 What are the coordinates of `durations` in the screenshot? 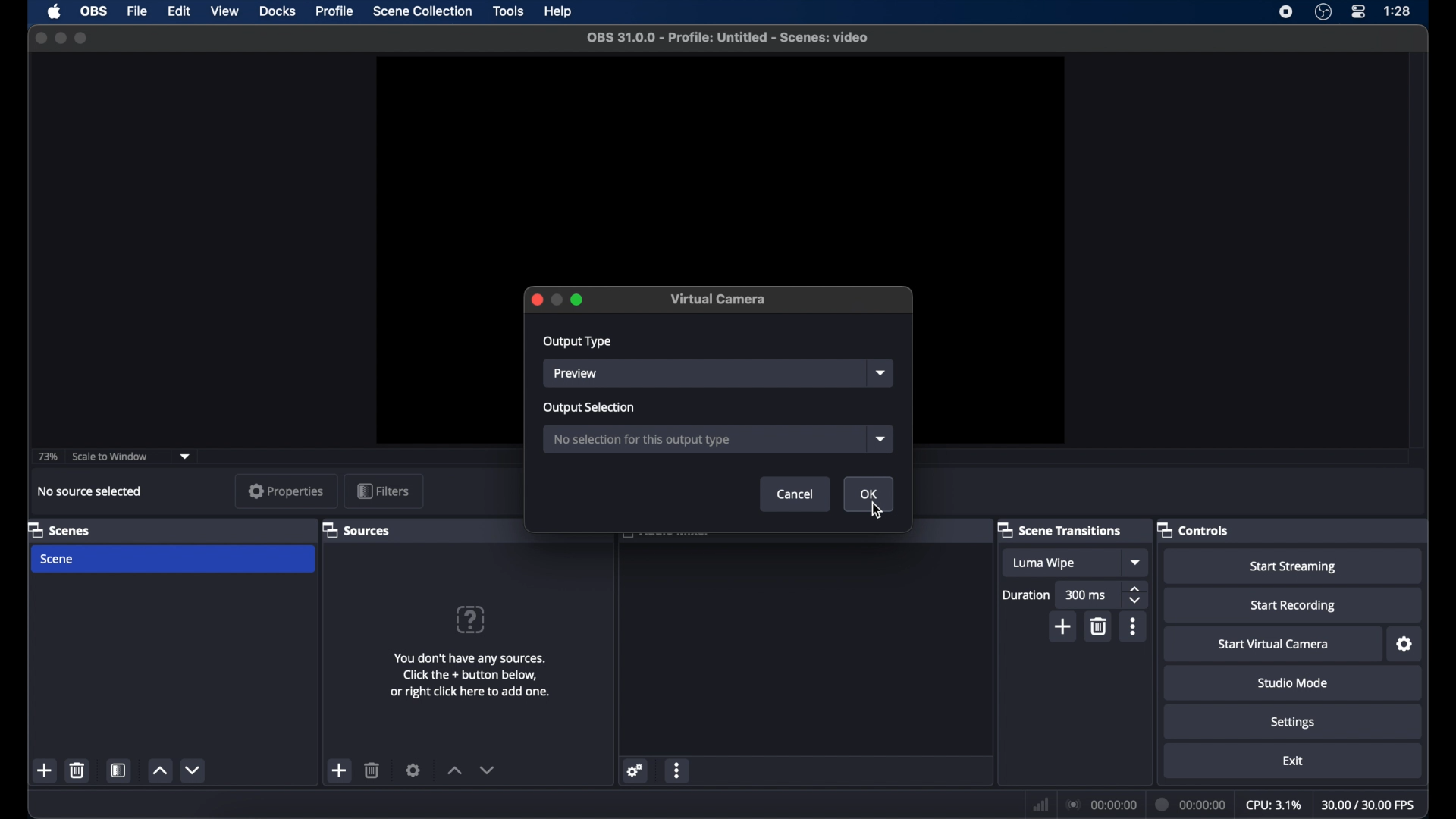 It's located at (1026, 595).